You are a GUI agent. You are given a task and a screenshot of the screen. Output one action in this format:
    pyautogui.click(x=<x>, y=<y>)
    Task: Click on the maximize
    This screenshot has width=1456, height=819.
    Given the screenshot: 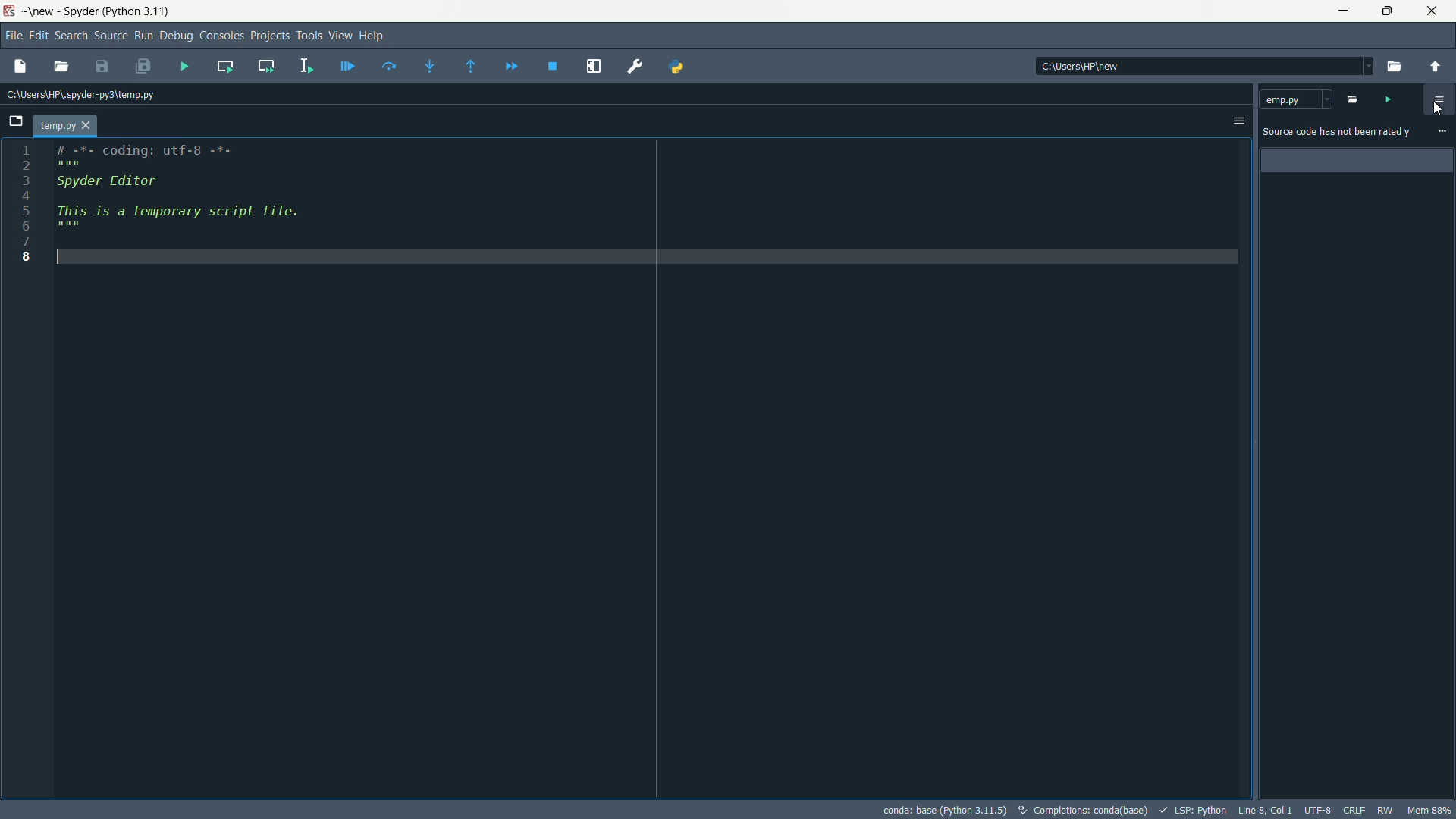 What is the action you would take?
    pyautogui.click(x=1389, y=12)
    